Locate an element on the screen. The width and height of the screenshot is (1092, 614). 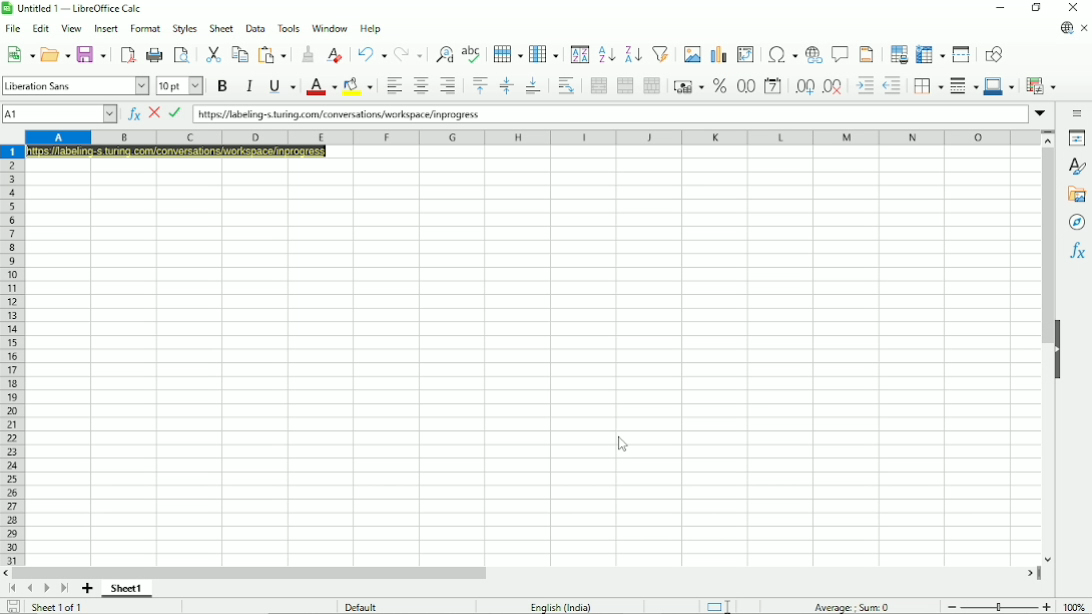
Cursor is located at coordinates (623, 445).